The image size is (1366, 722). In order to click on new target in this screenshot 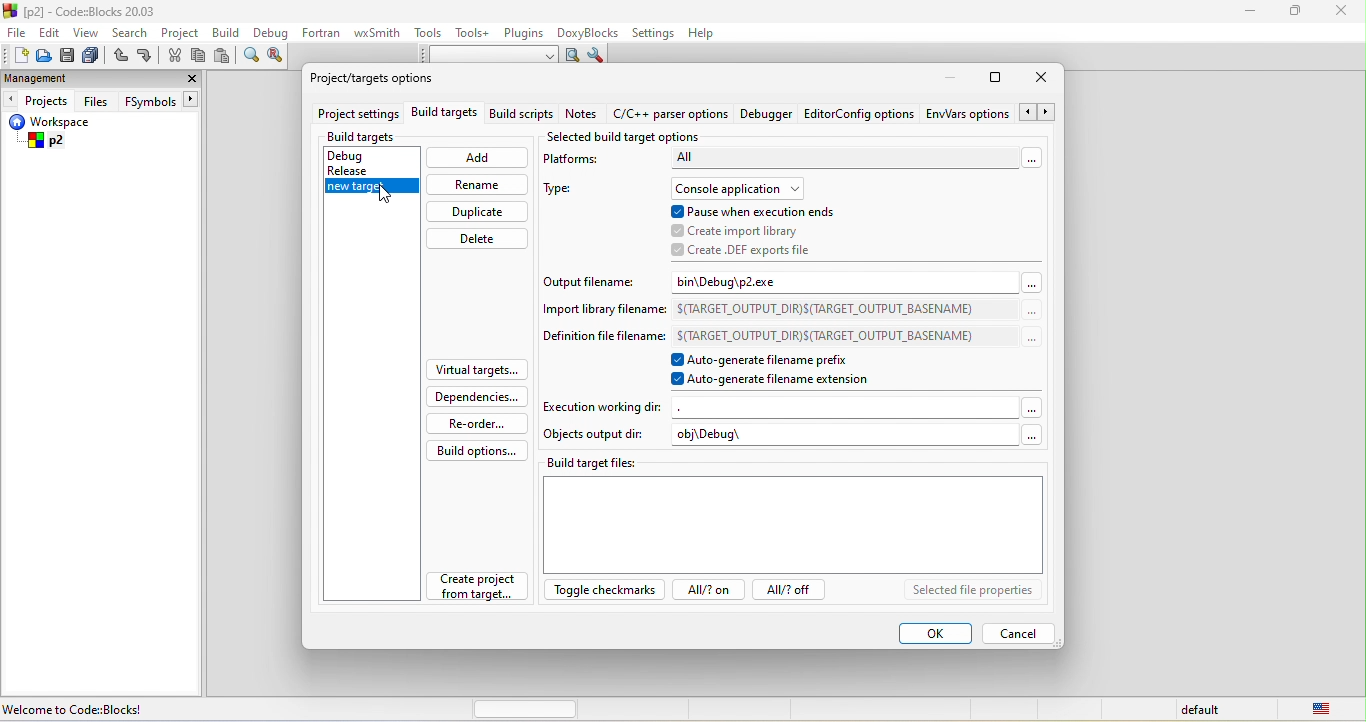, I will do `click(369, 190)`.